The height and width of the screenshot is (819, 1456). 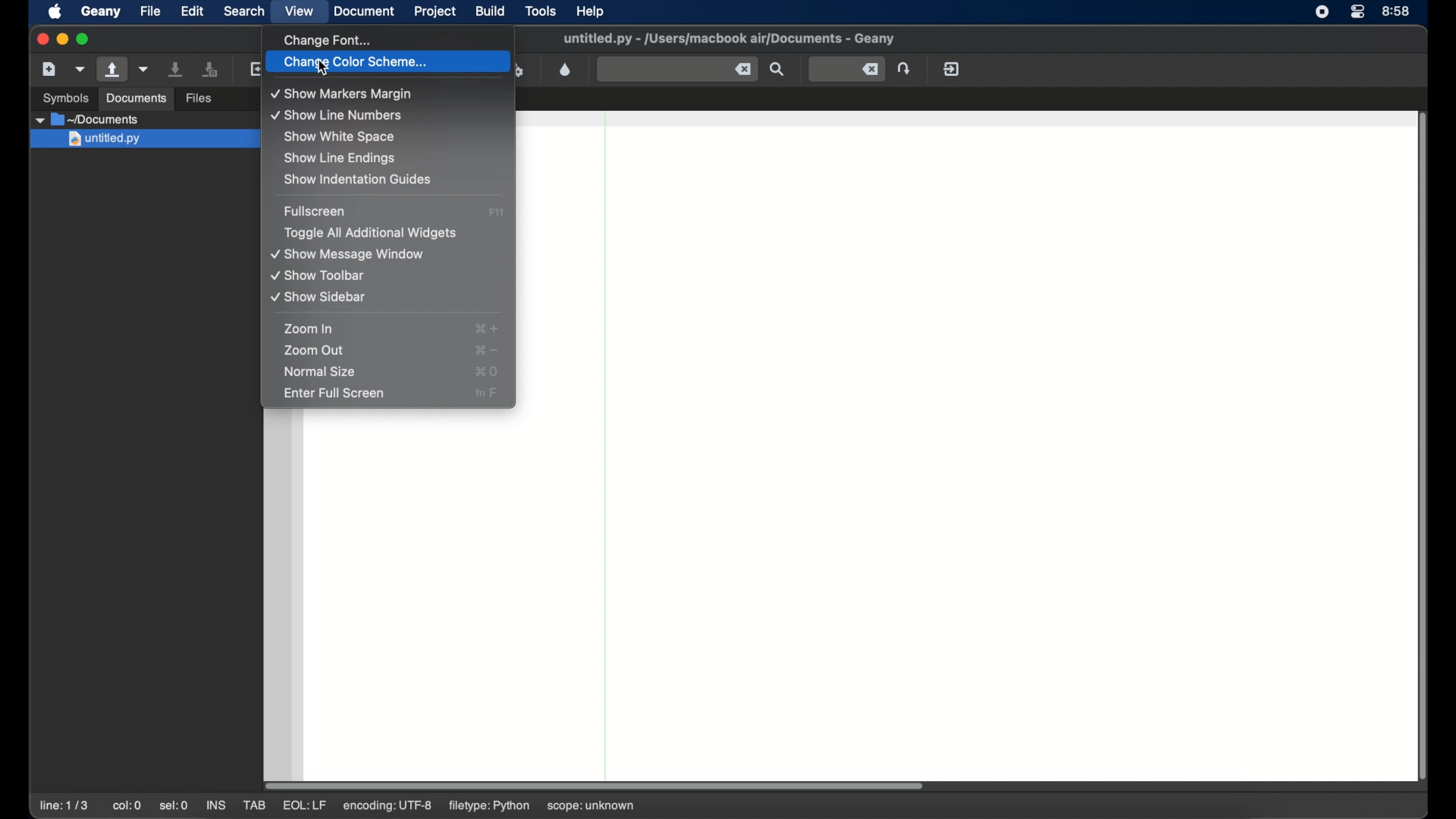 I want to click on documents, so click(x=88, y=120).